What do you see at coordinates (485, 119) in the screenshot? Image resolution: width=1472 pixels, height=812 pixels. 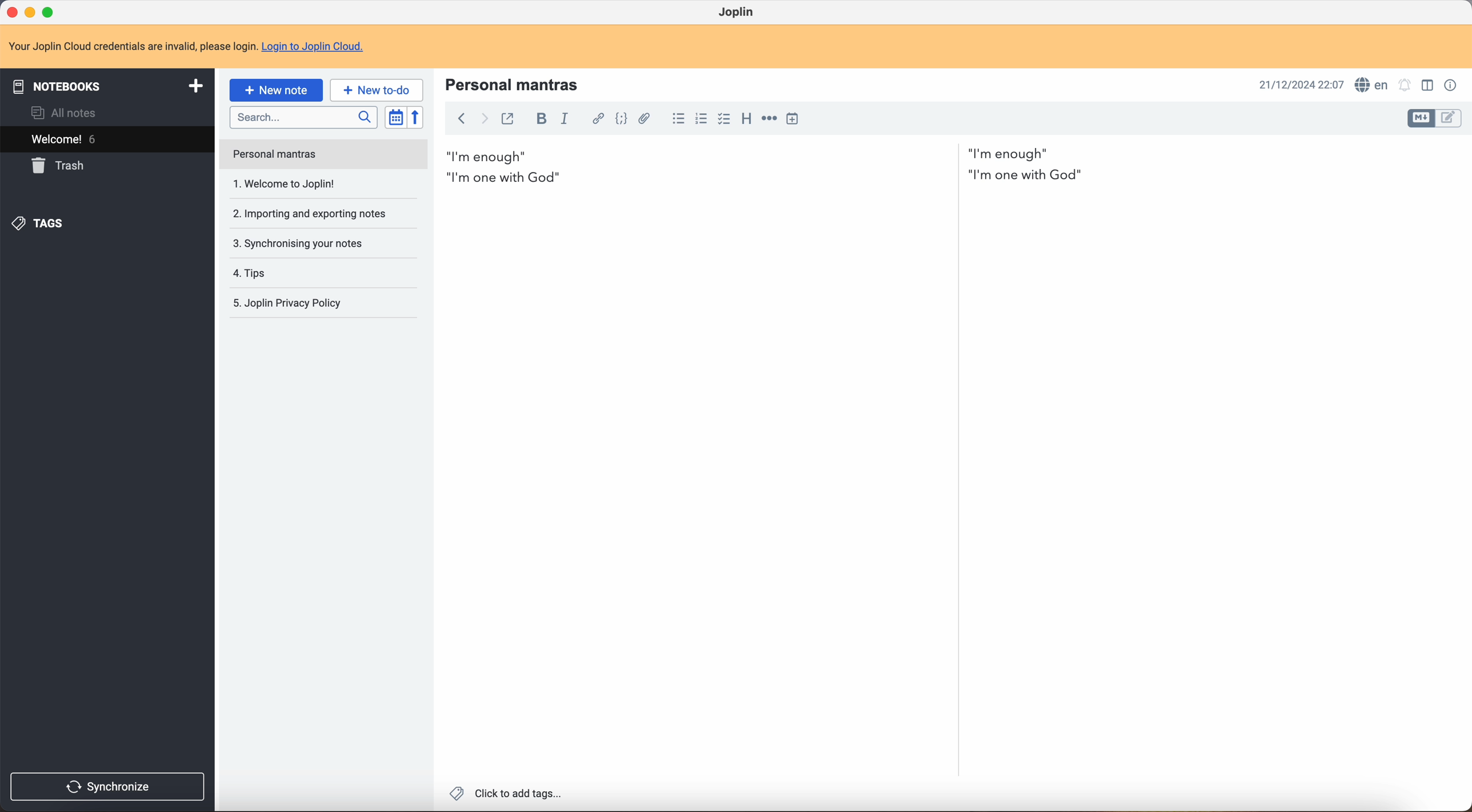 I see `foward` at bounding box center [485, 119].